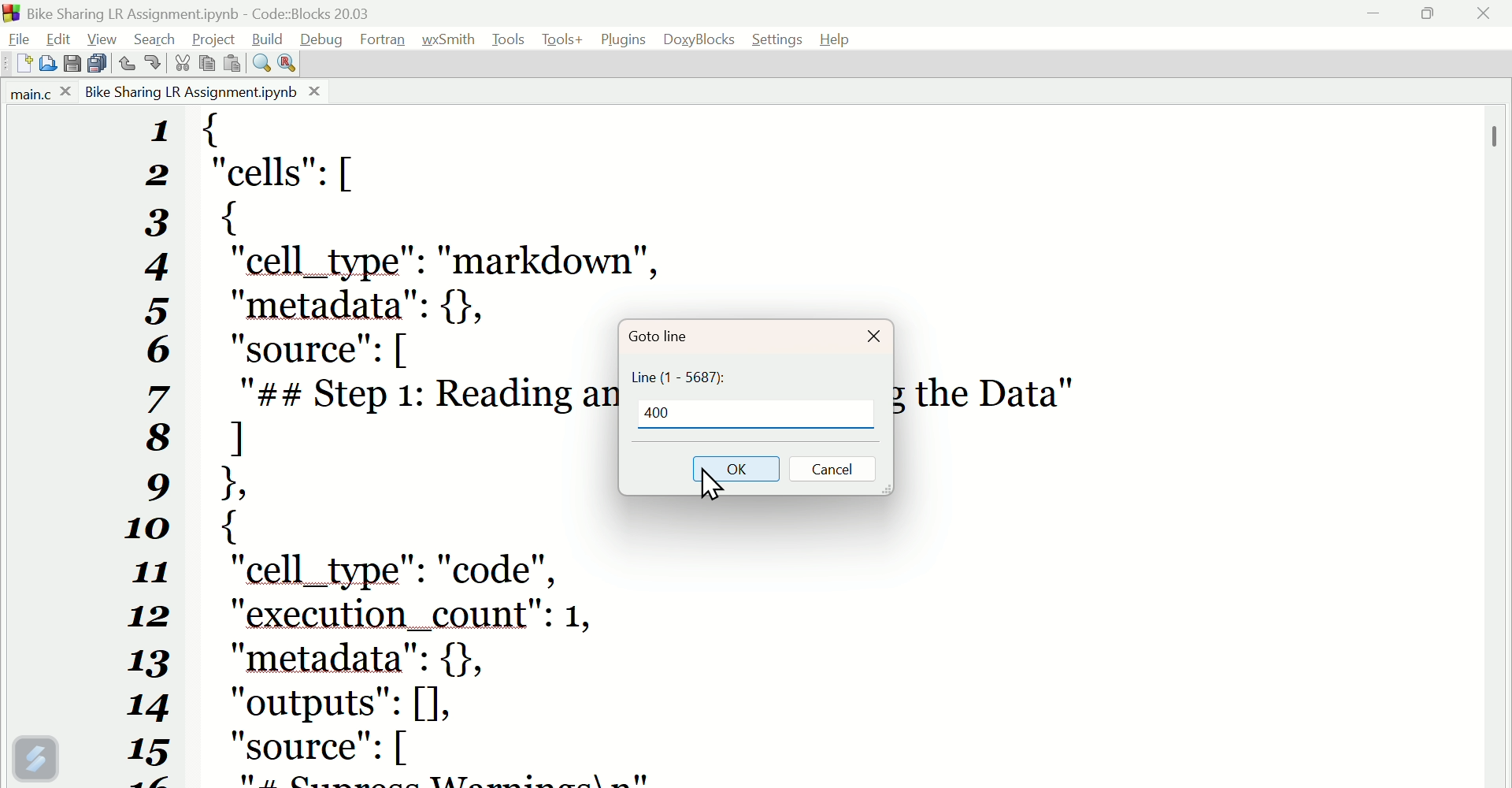 This screenshot has width=1512, height=788. I want to click on Ok, so click(736, 466).